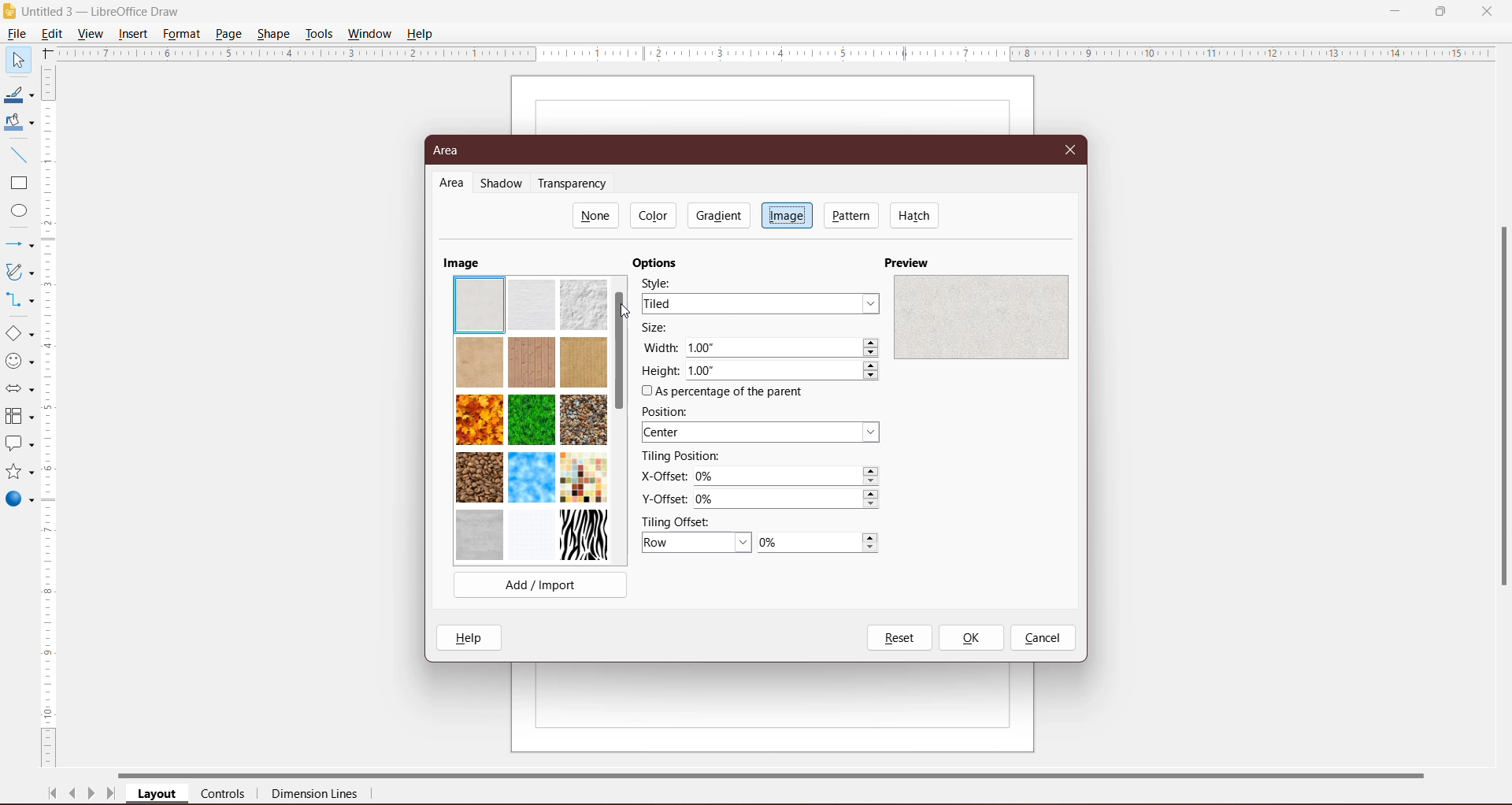 The width and height of the screenshot is (1512, 805). I want to click on OK, so click(970, 638).